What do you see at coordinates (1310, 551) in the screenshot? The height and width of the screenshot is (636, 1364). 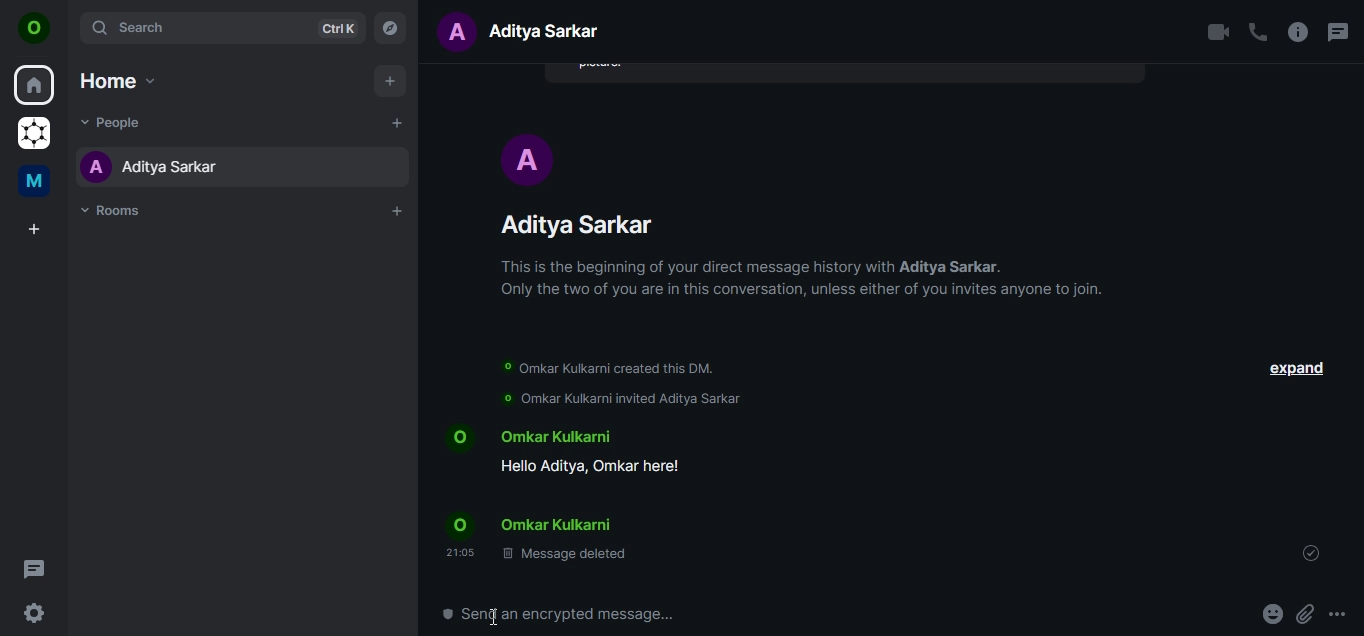 I see `your message was seen` at bounding box center [1310, 551].